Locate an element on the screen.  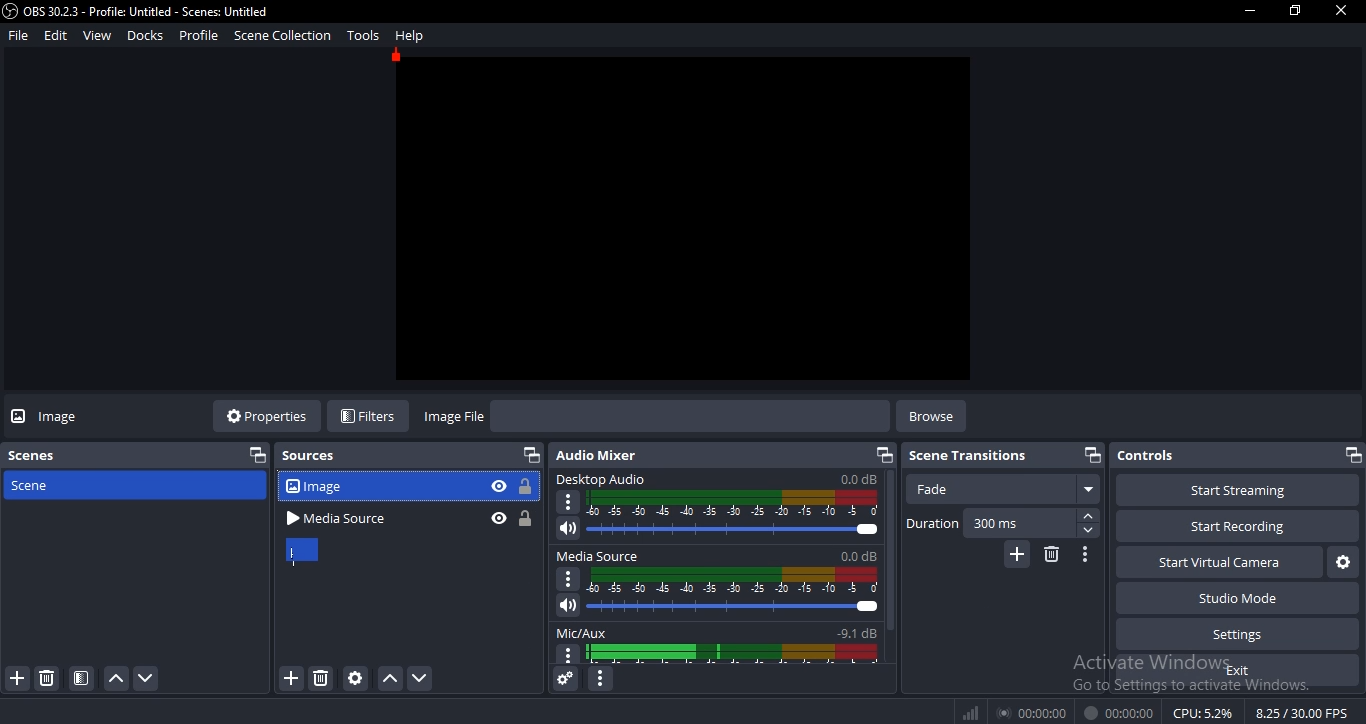
forward is located at coordinates (1090, 517).